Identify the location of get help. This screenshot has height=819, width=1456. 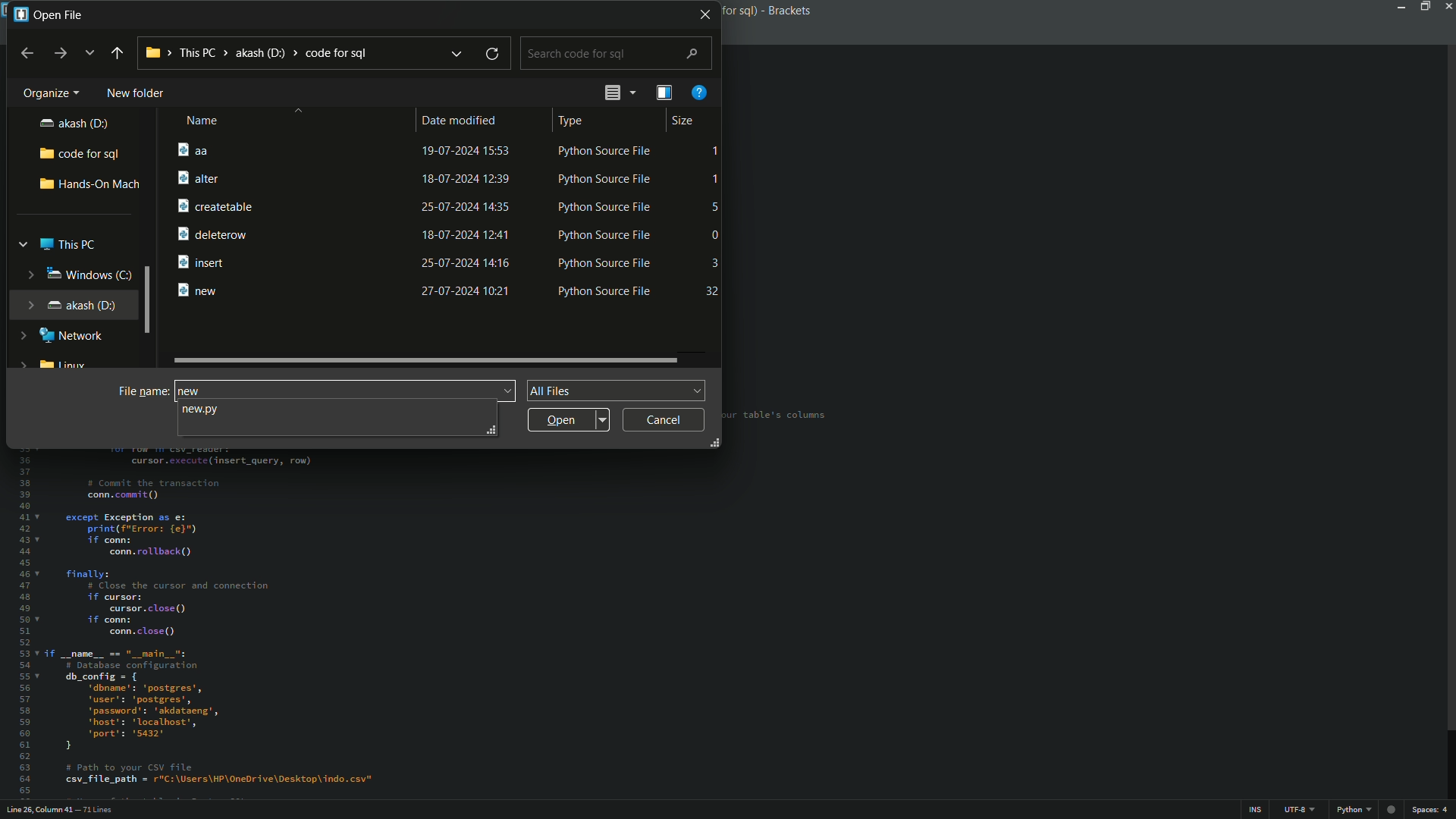
(700, 93).